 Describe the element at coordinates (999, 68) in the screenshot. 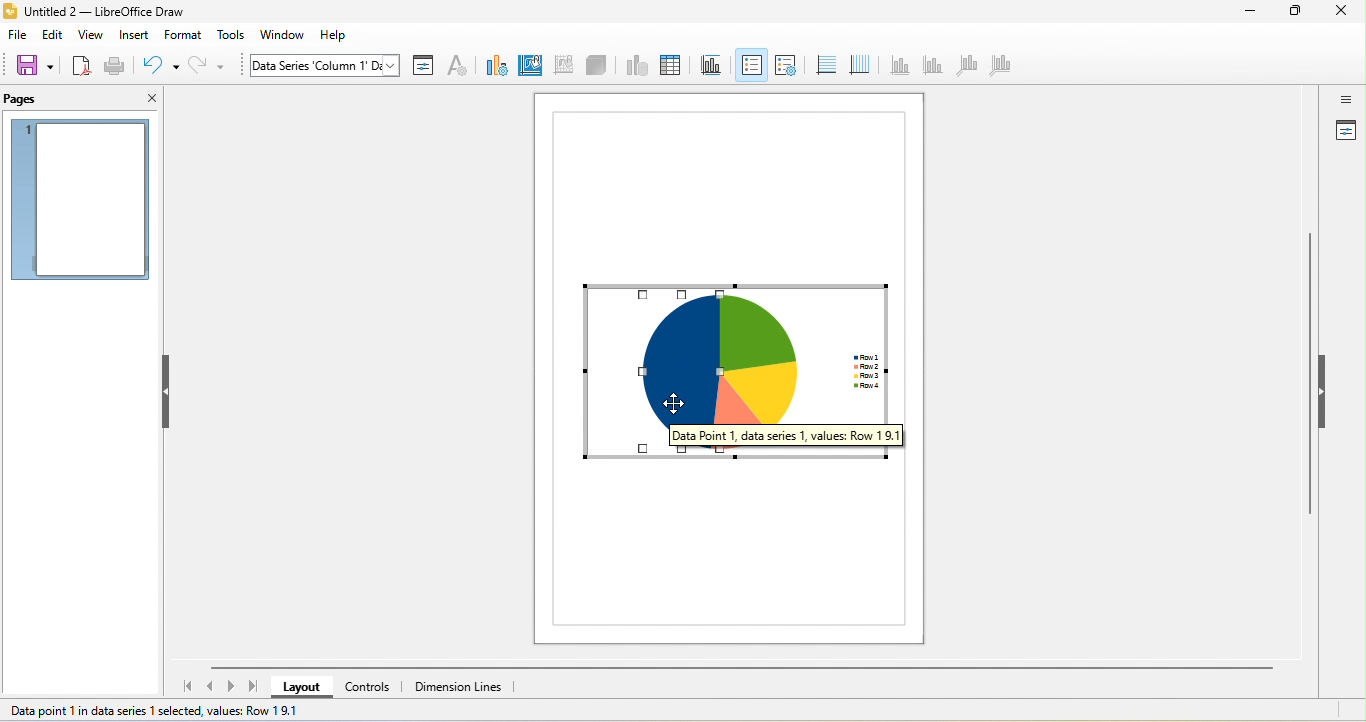

I see `all axes` at that location.